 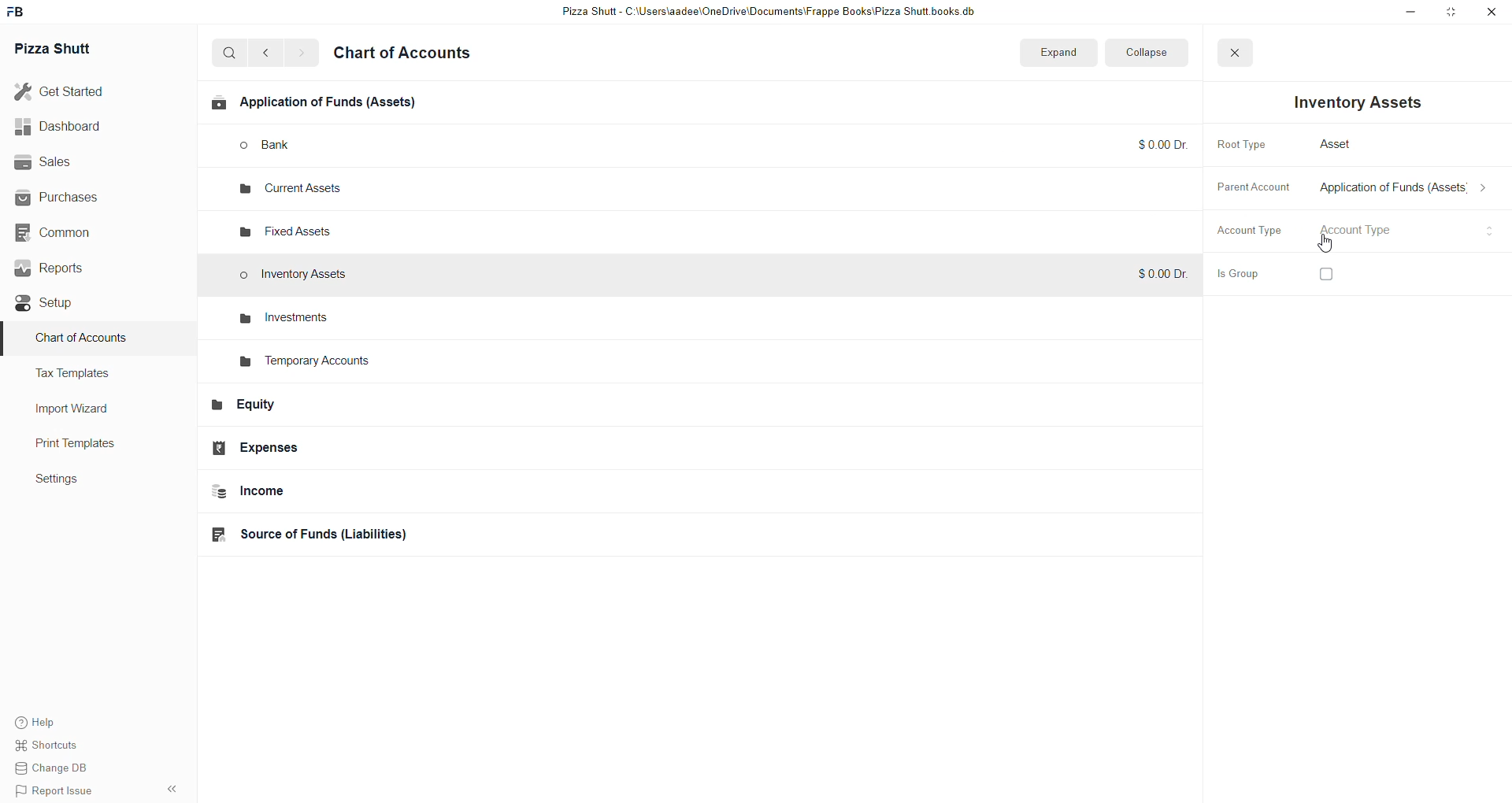 I want to click on Report issue, so click(x=56, y=793).